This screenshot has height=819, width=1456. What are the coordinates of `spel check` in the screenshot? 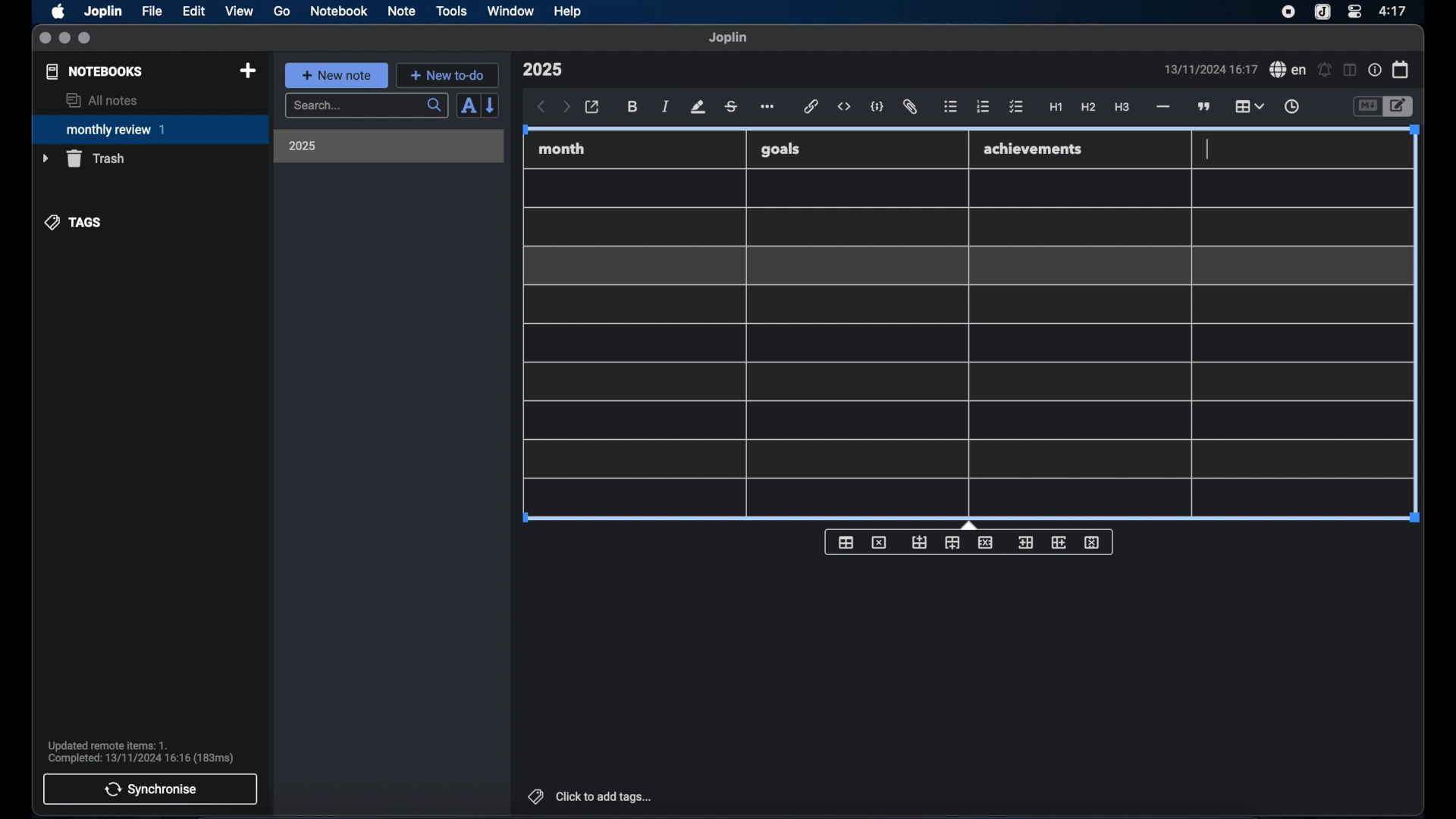 It's located at (1288, 70).